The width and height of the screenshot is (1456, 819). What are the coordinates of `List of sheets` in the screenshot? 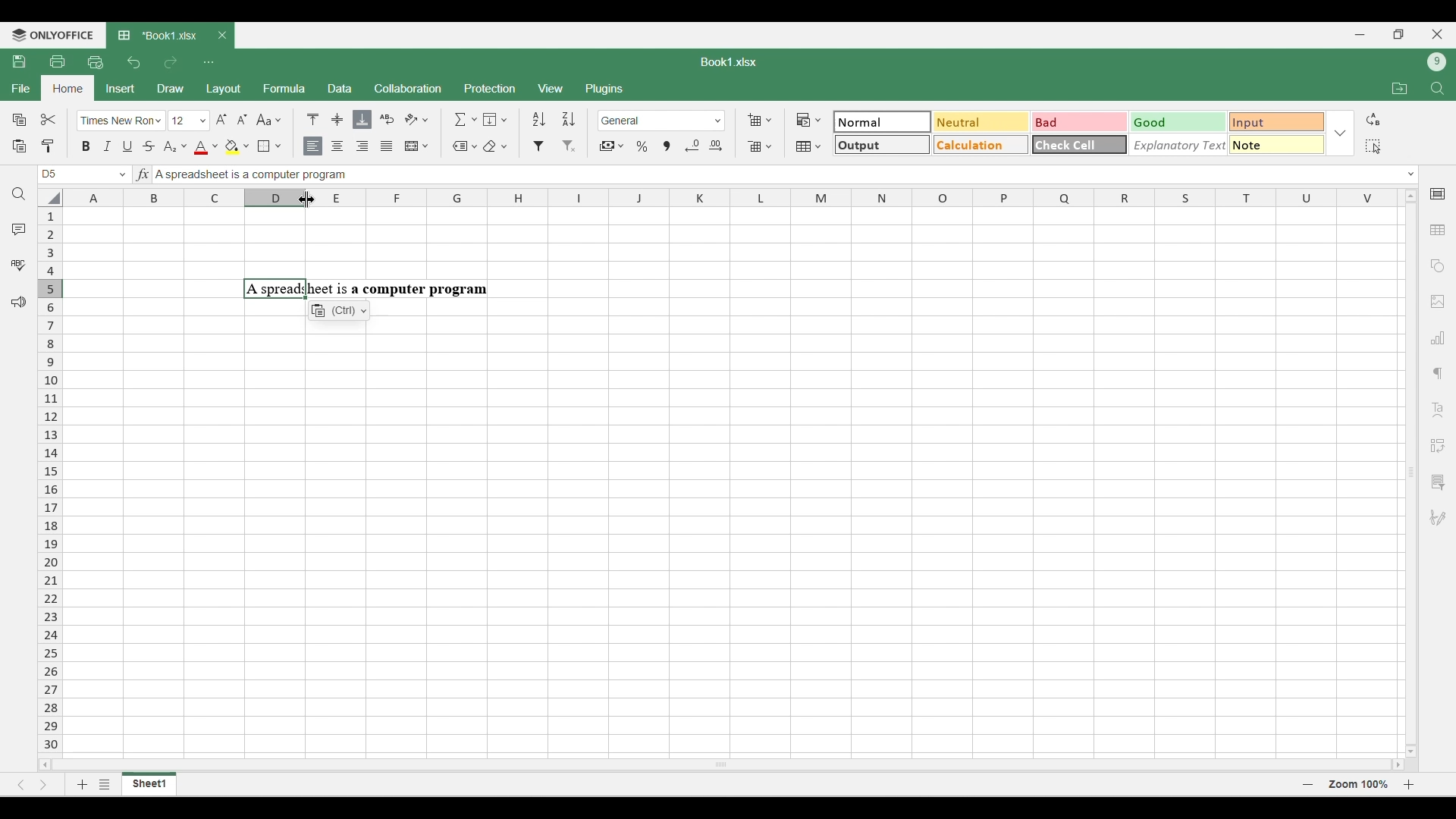 It's located at (105, 784).